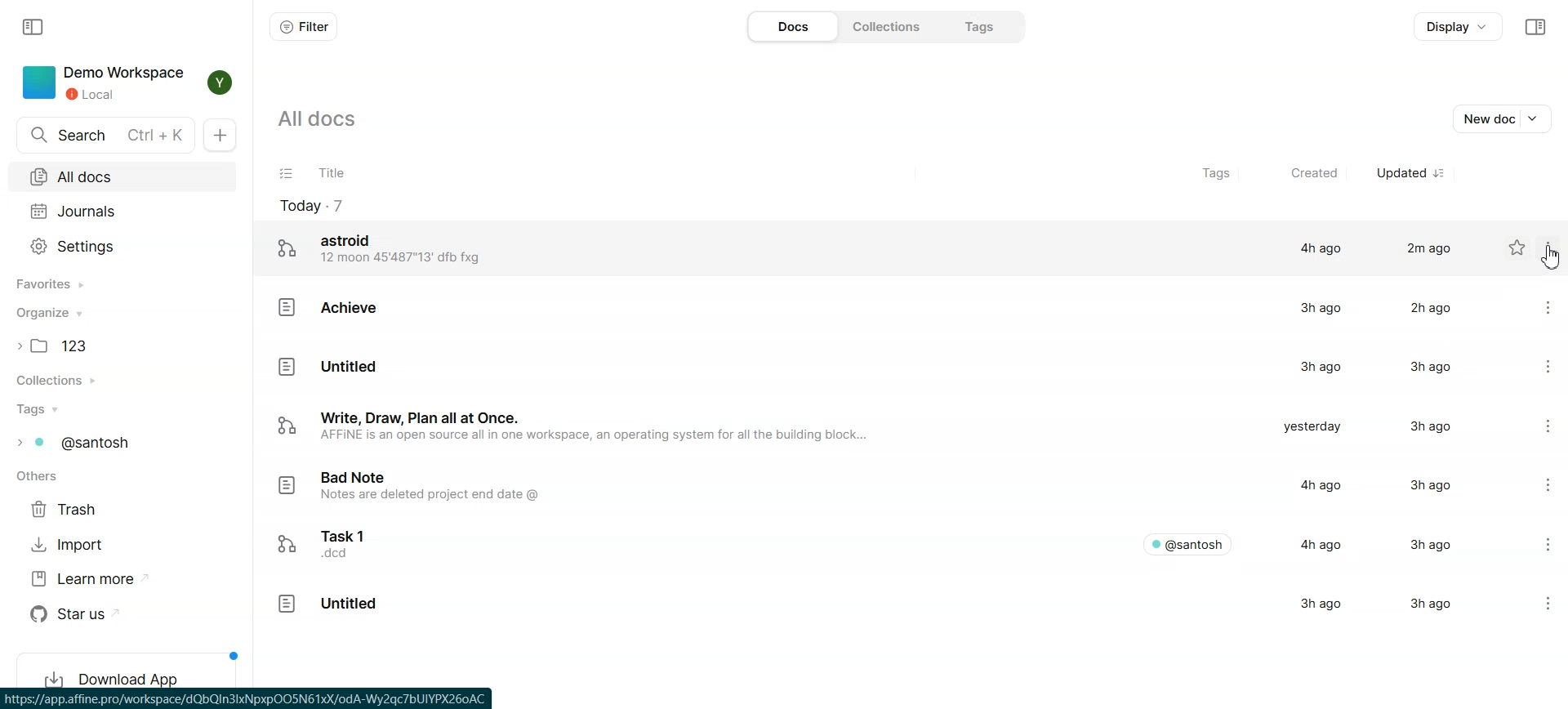 This screenshot has height=709, width=1568. What do you see at coordinates (1424, 543) in the screenshot?
I see `3hago` at bounding box center [1424, 543].